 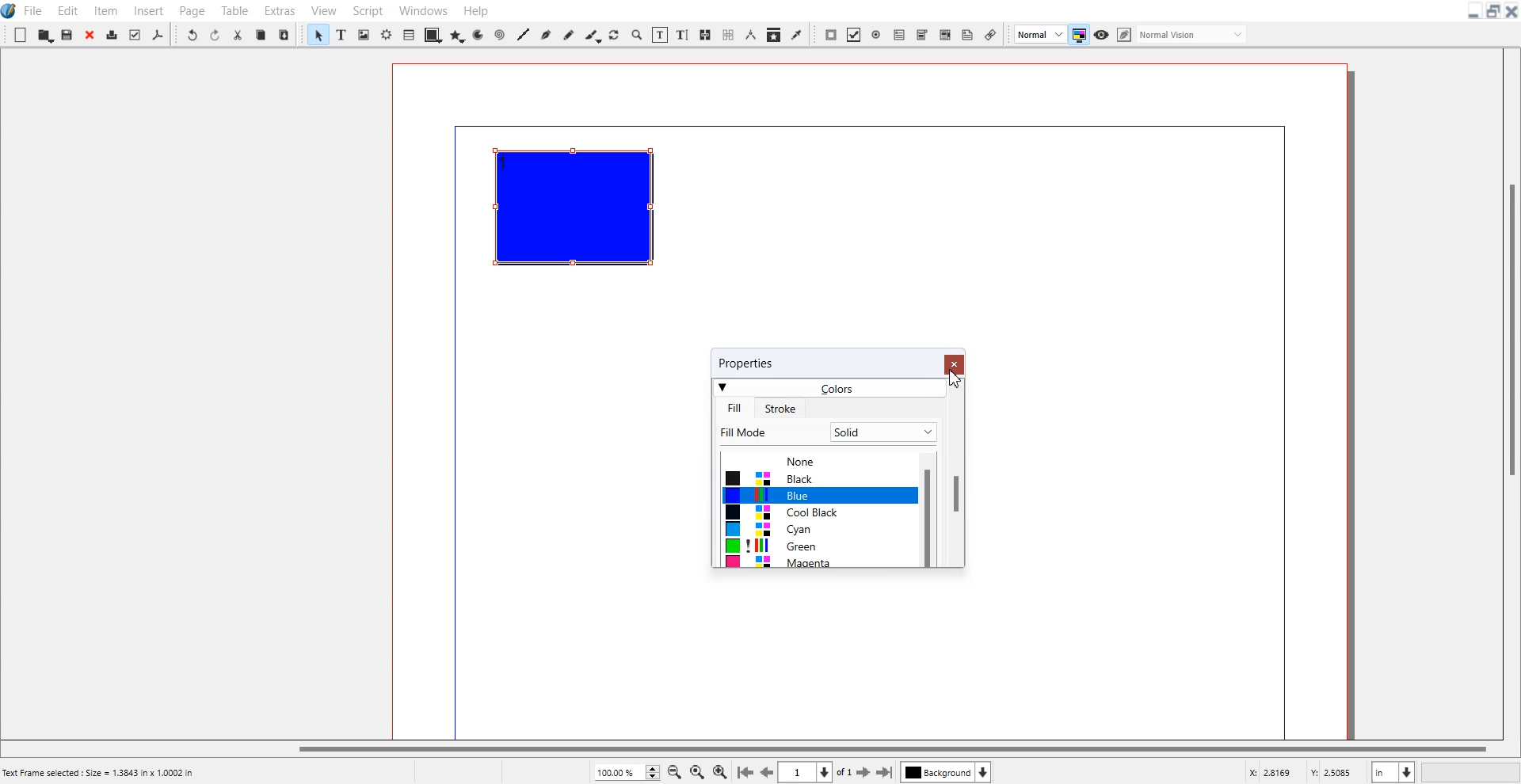 What do you see at coordinates (323, 10) in the screenshot?
I see `View` at bounding box center [323, 10].